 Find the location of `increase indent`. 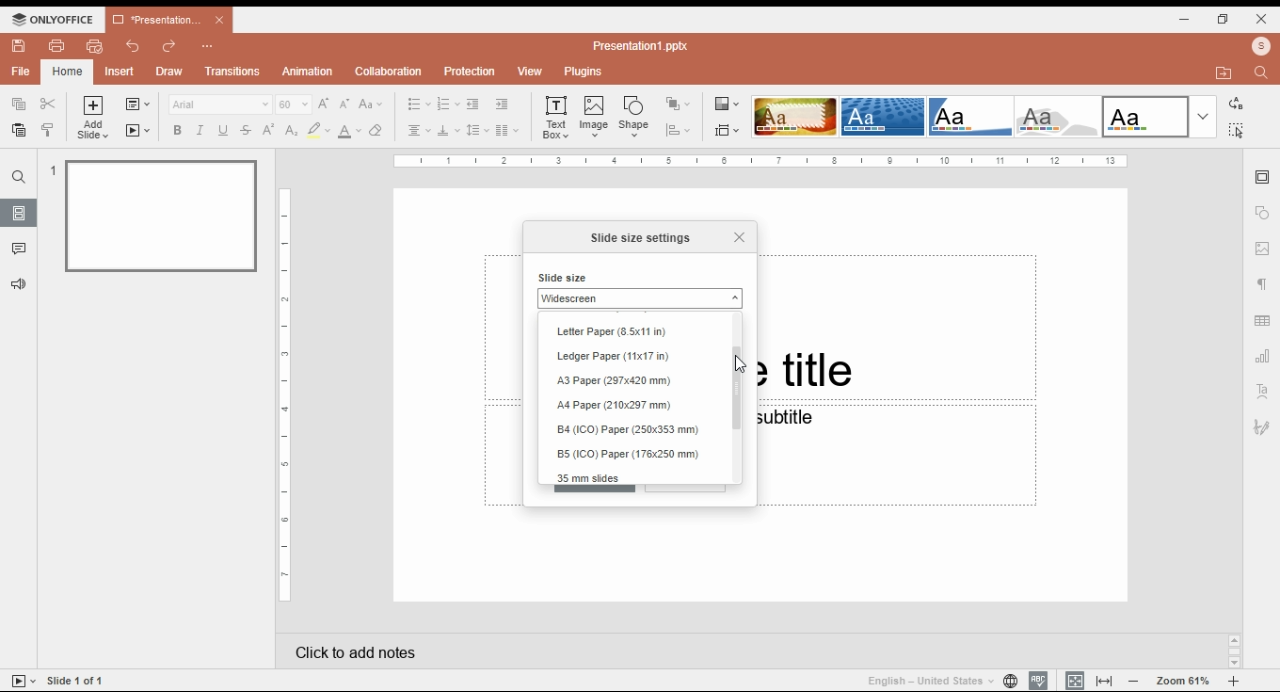

increase indent is located at coordinates (501, 104).